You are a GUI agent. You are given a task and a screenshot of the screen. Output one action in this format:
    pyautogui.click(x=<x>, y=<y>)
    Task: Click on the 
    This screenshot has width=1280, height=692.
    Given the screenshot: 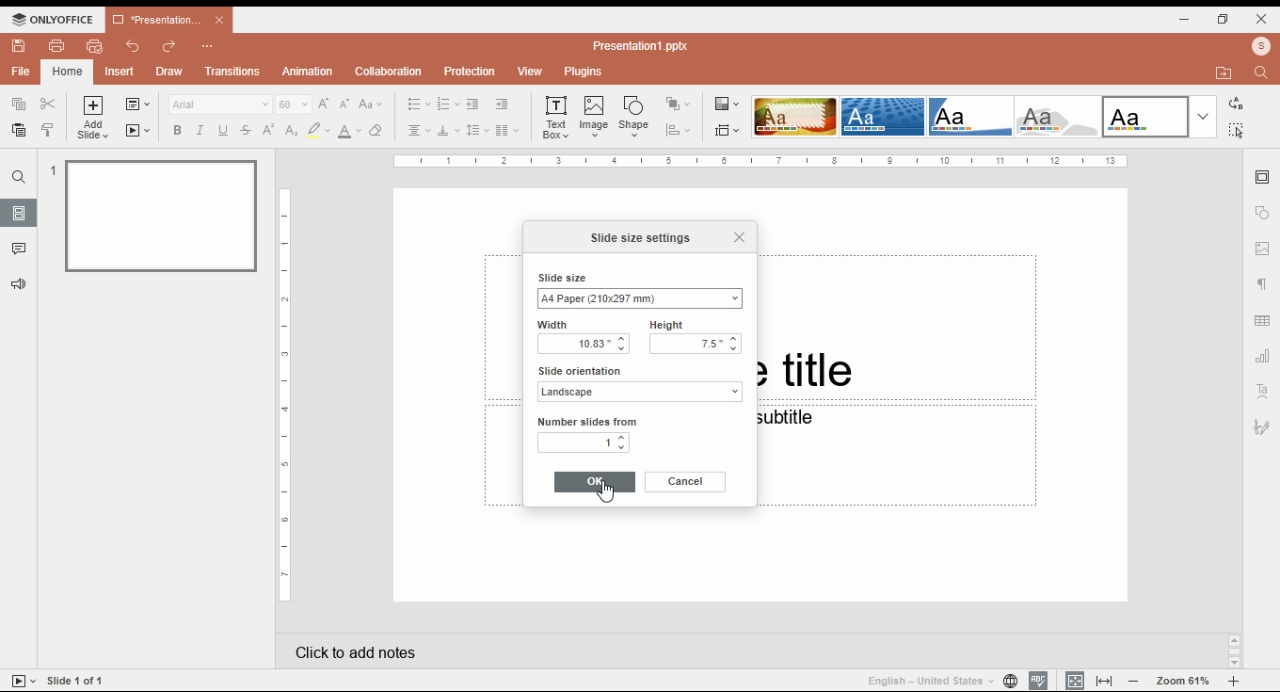 What is the action you would take?
    pyautogui.click(x=1265, y=428)
    